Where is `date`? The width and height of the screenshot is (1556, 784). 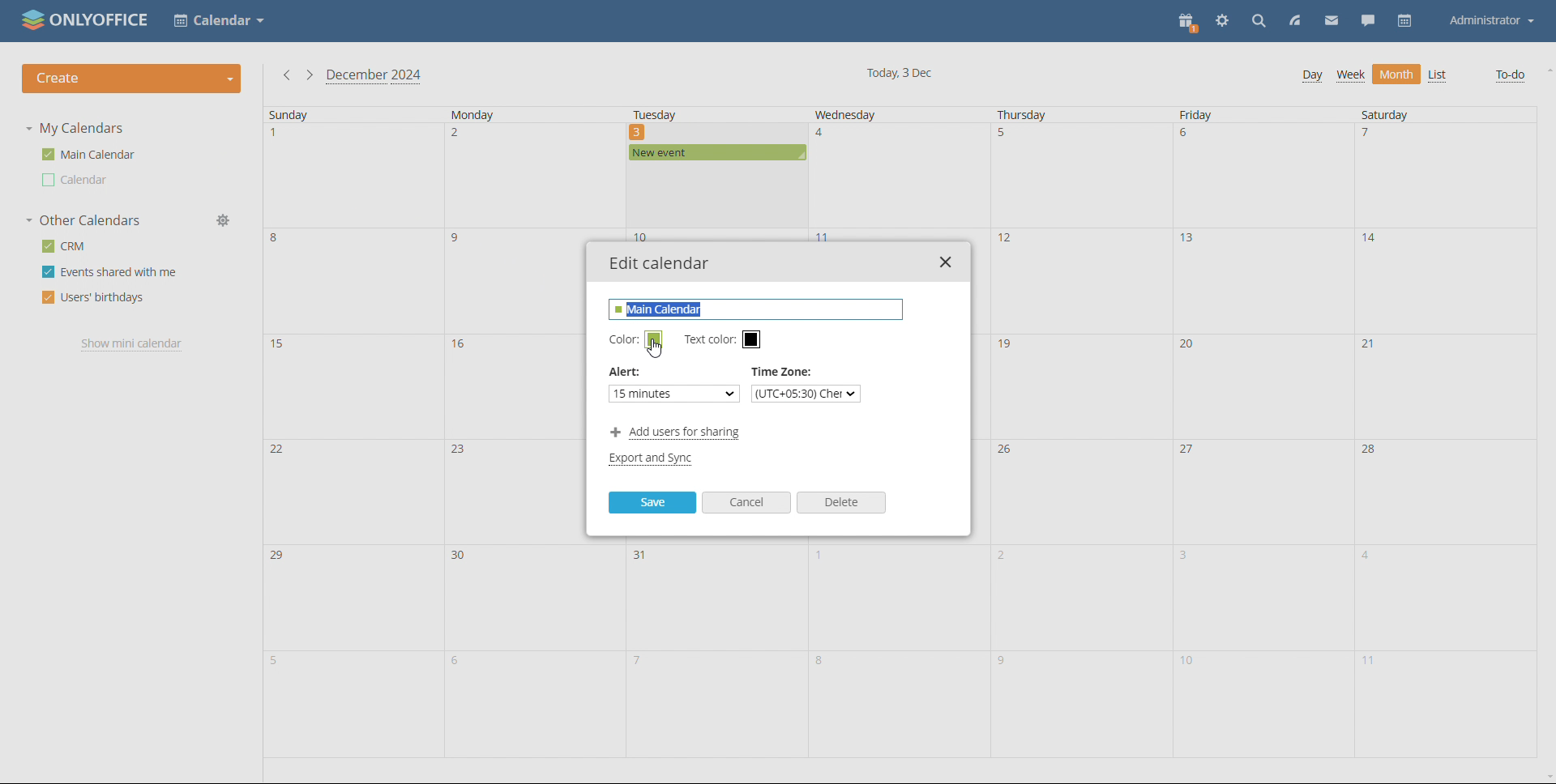
date is located at coordinates (352, 488).